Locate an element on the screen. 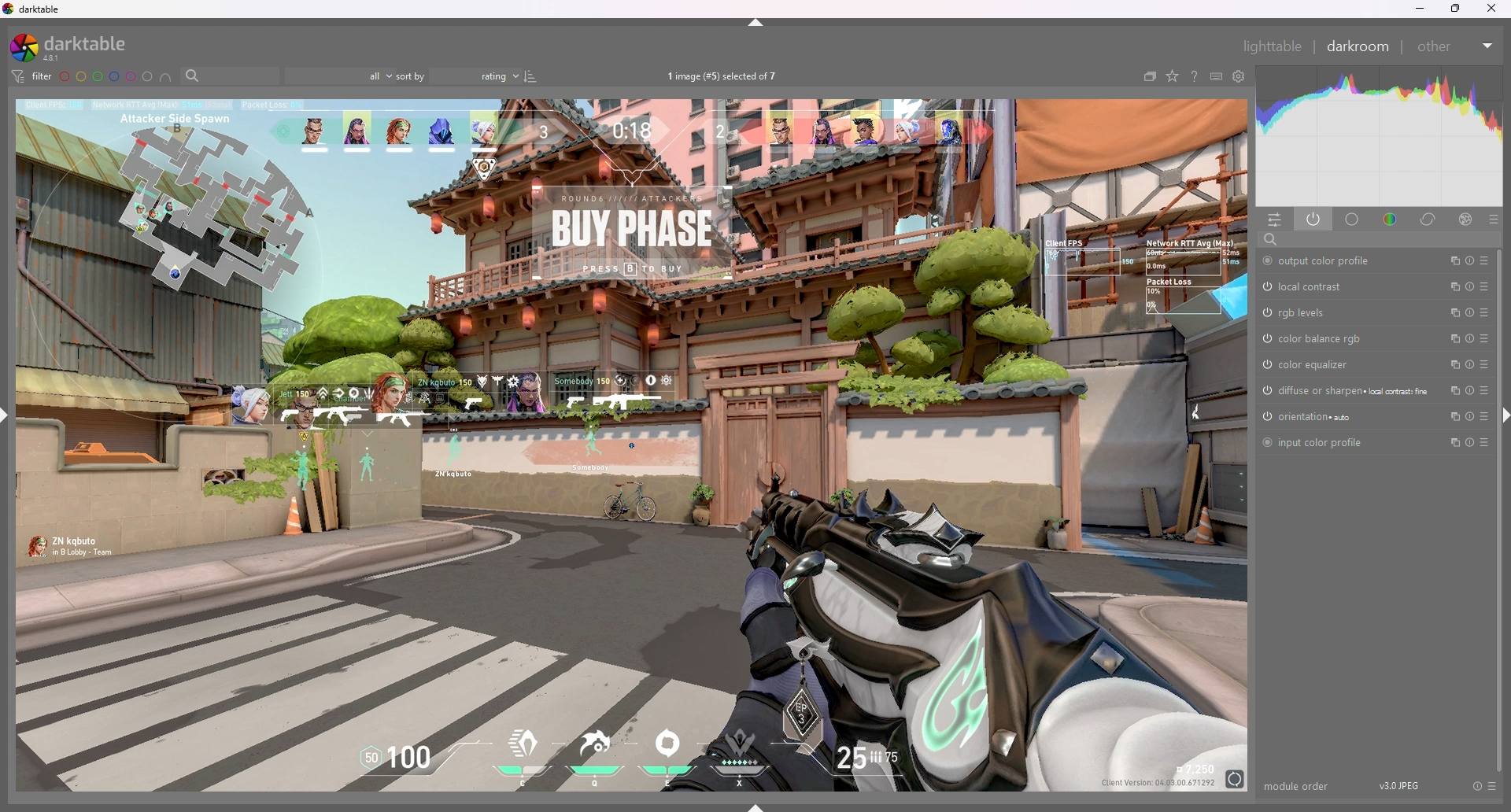  reverse sort order is located at coordinates (530, 76).